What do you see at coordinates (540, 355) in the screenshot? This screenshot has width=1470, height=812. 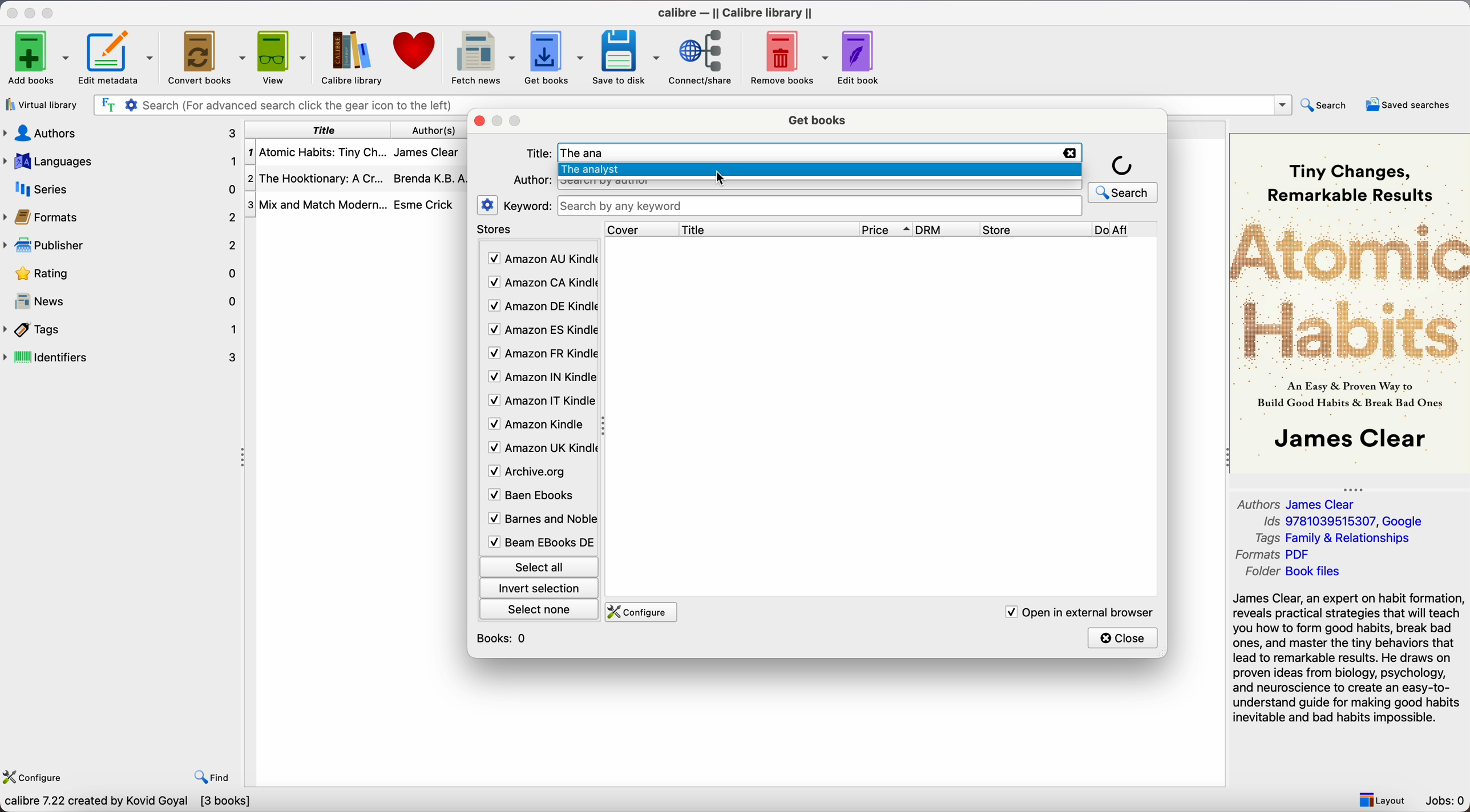 I see `Amazon FR Kindle` at bounding box center [540, 355].